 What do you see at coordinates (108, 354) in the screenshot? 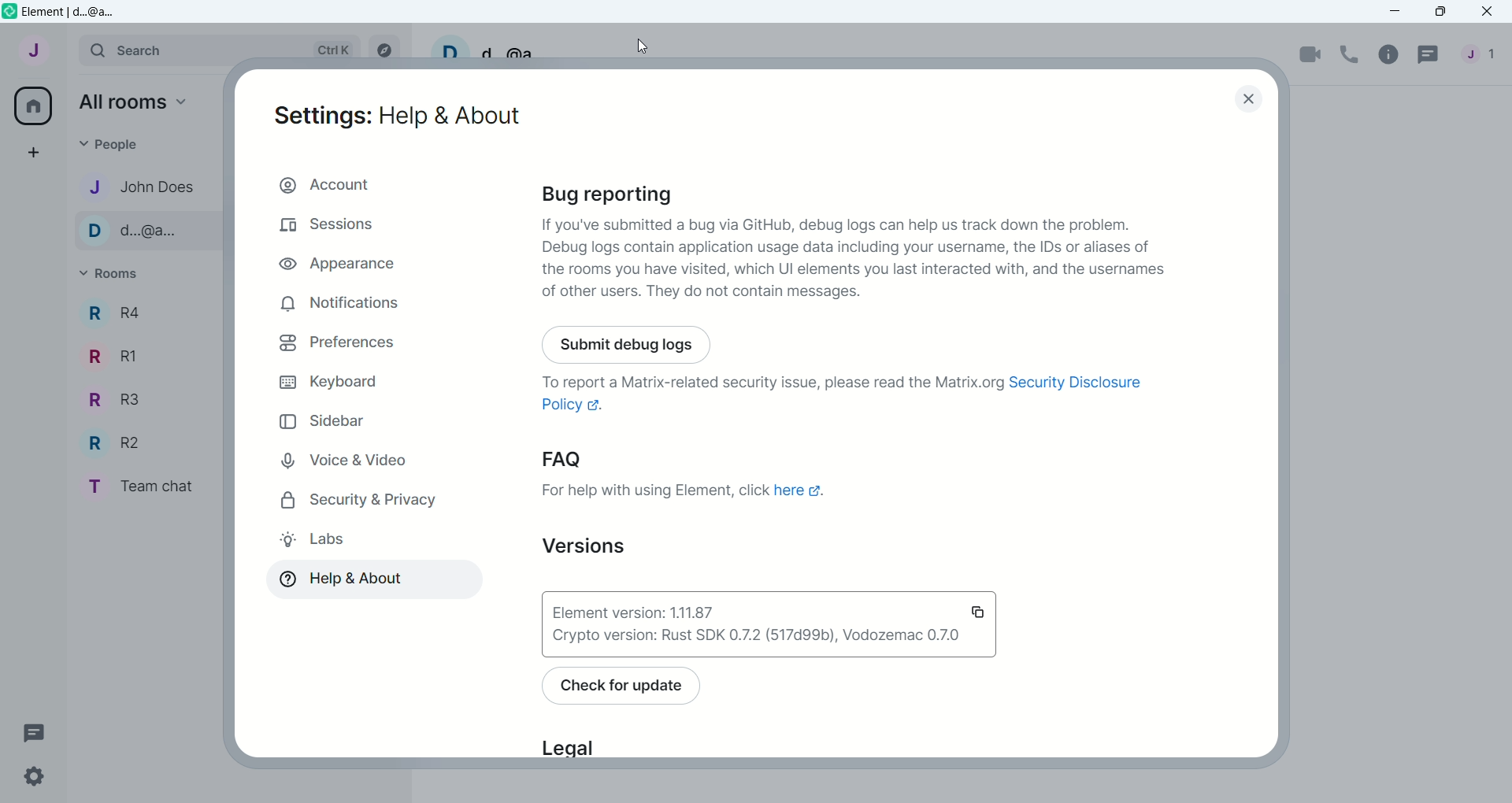
I see `Room R1` at bounding box center [108, 354].